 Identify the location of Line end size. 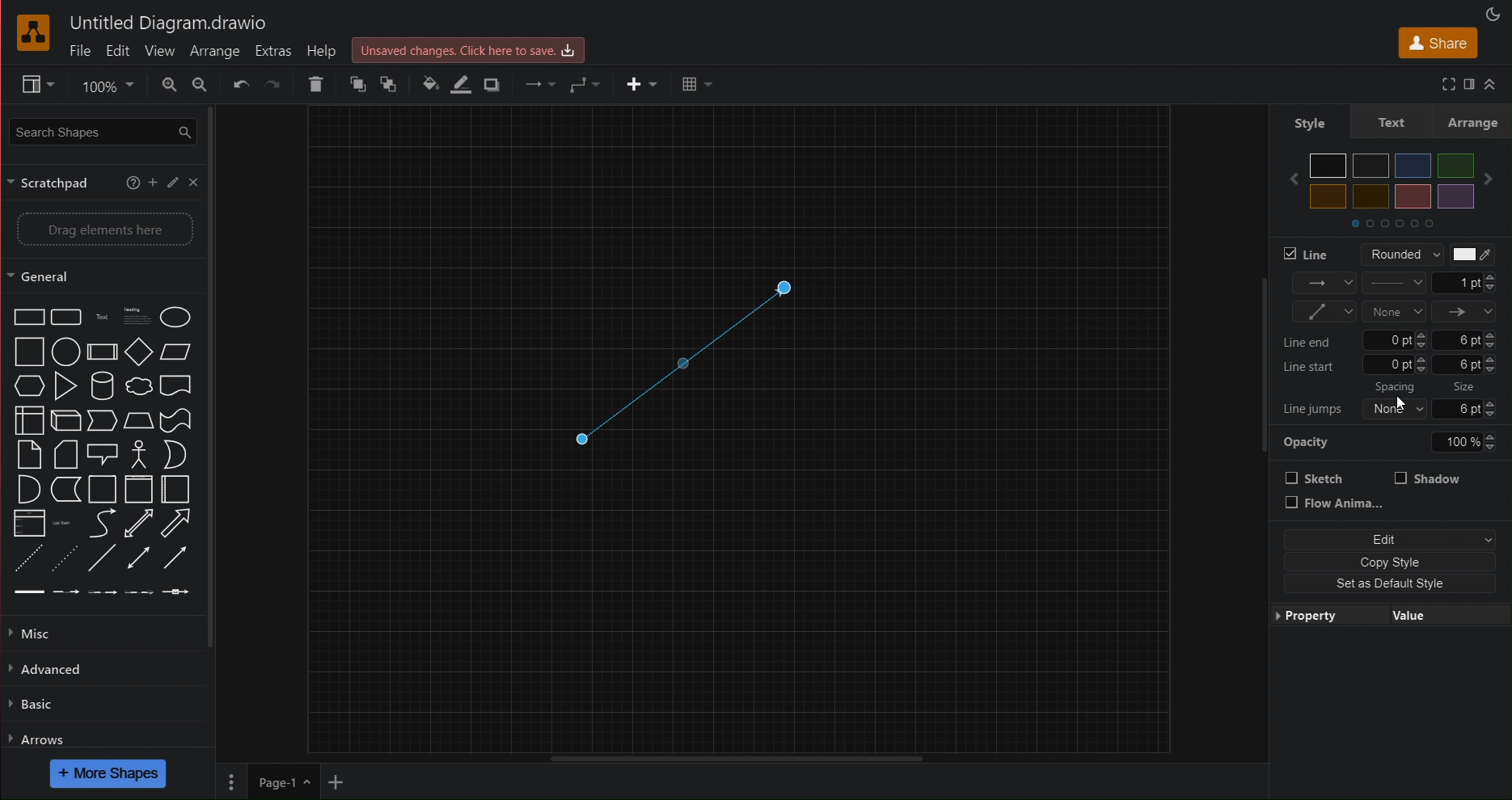
(1394, 339).